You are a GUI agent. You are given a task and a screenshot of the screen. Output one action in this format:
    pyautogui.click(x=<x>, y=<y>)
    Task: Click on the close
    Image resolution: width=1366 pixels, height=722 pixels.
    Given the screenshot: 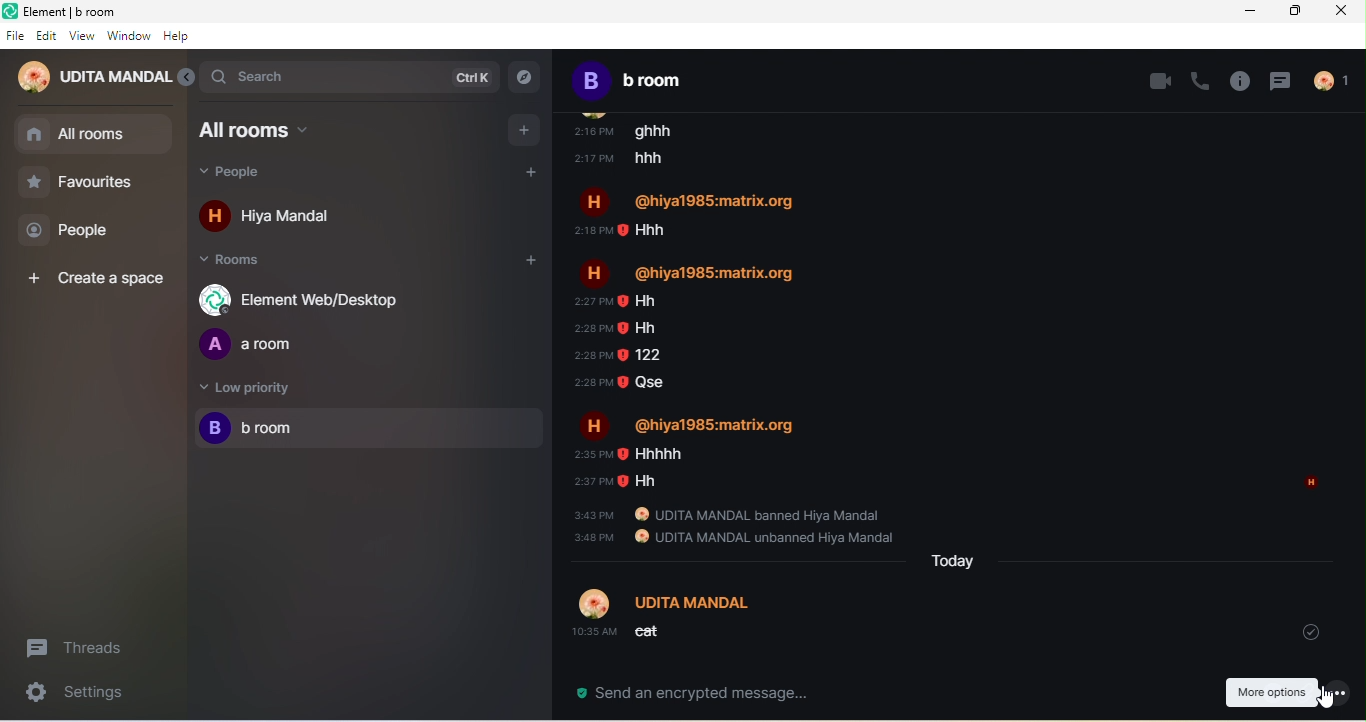 What is the action you would take?
    pyautogui.click(x=1347, y=15)
    